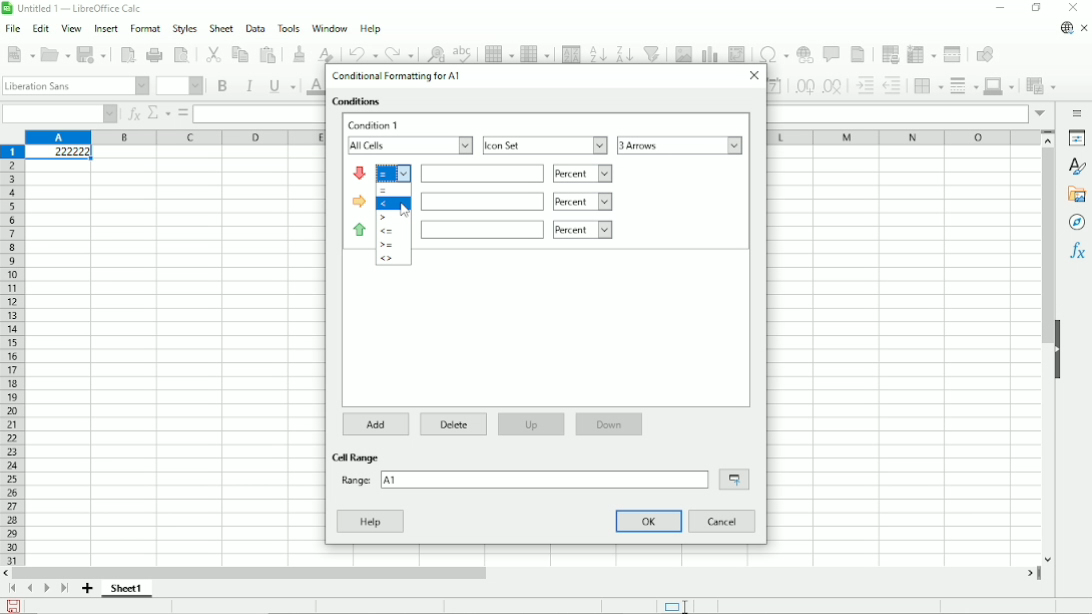  Describe the element at coordinates (406, 210) in the screenshot. I see `cursor` at that location.